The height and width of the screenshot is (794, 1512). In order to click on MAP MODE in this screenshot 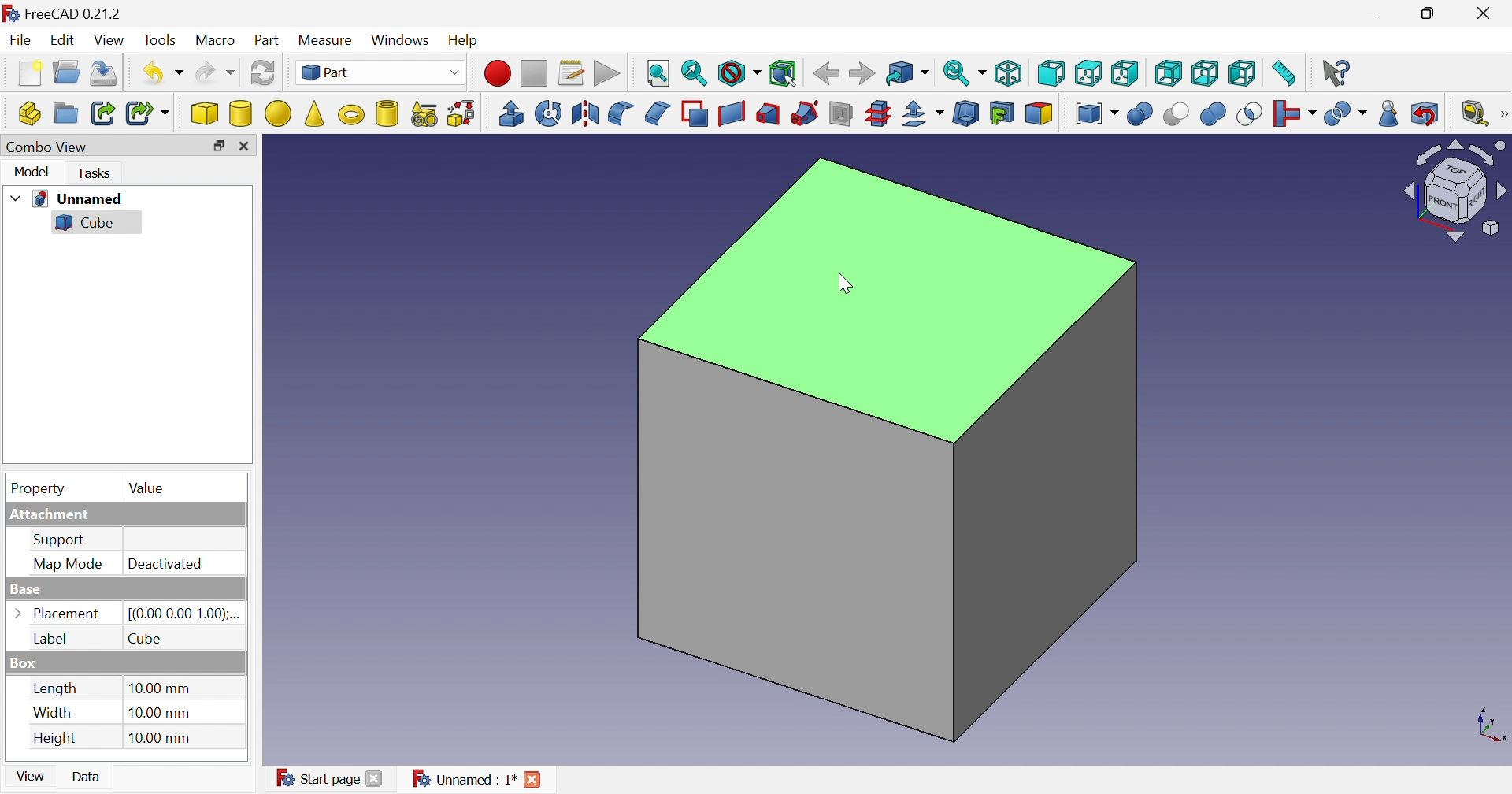, I will do `click(69, 565)`.